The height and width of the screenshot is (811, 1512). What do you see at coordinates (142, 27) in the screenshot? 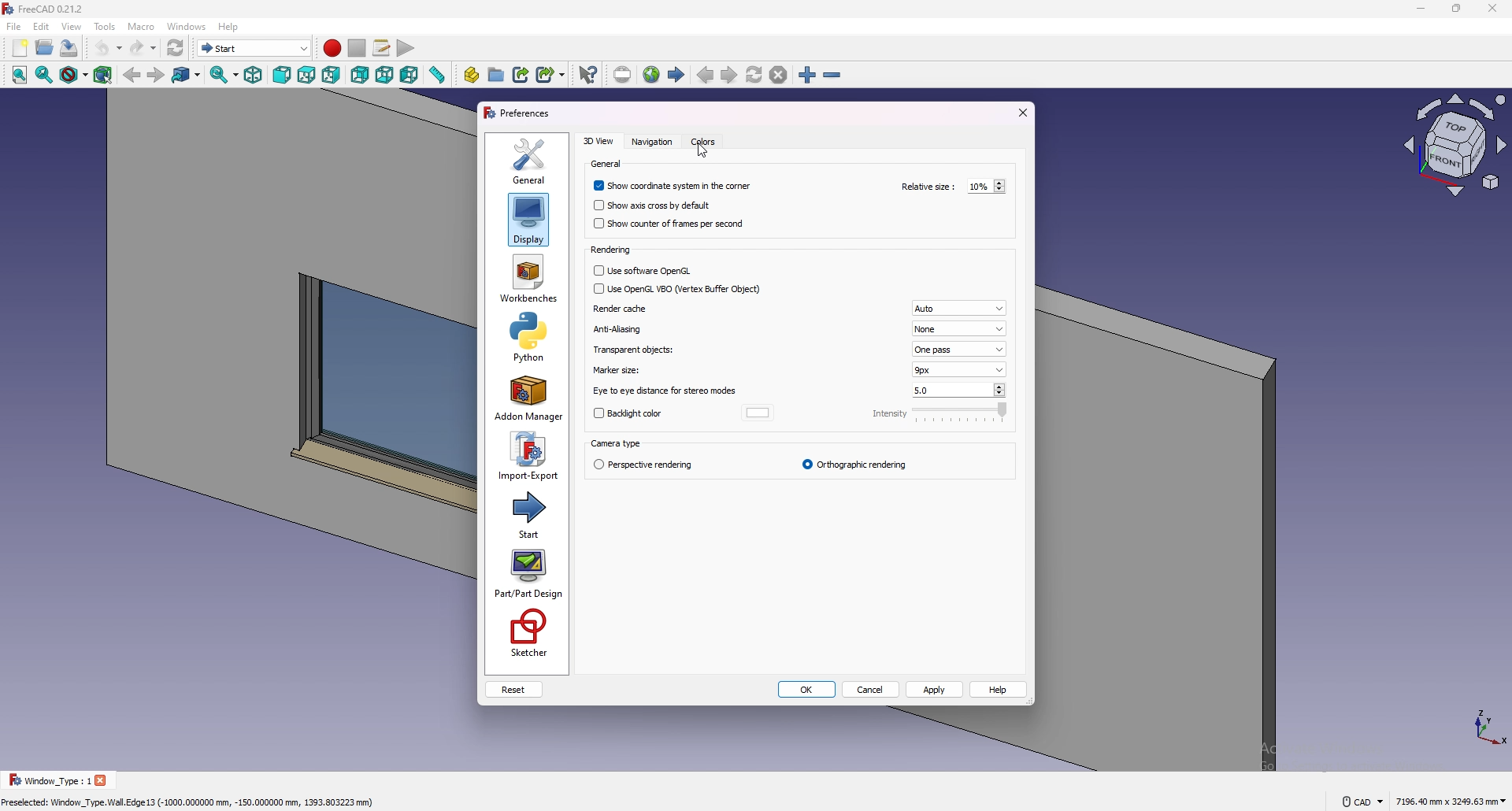
I see `macro` at bounding box center [142, 27].